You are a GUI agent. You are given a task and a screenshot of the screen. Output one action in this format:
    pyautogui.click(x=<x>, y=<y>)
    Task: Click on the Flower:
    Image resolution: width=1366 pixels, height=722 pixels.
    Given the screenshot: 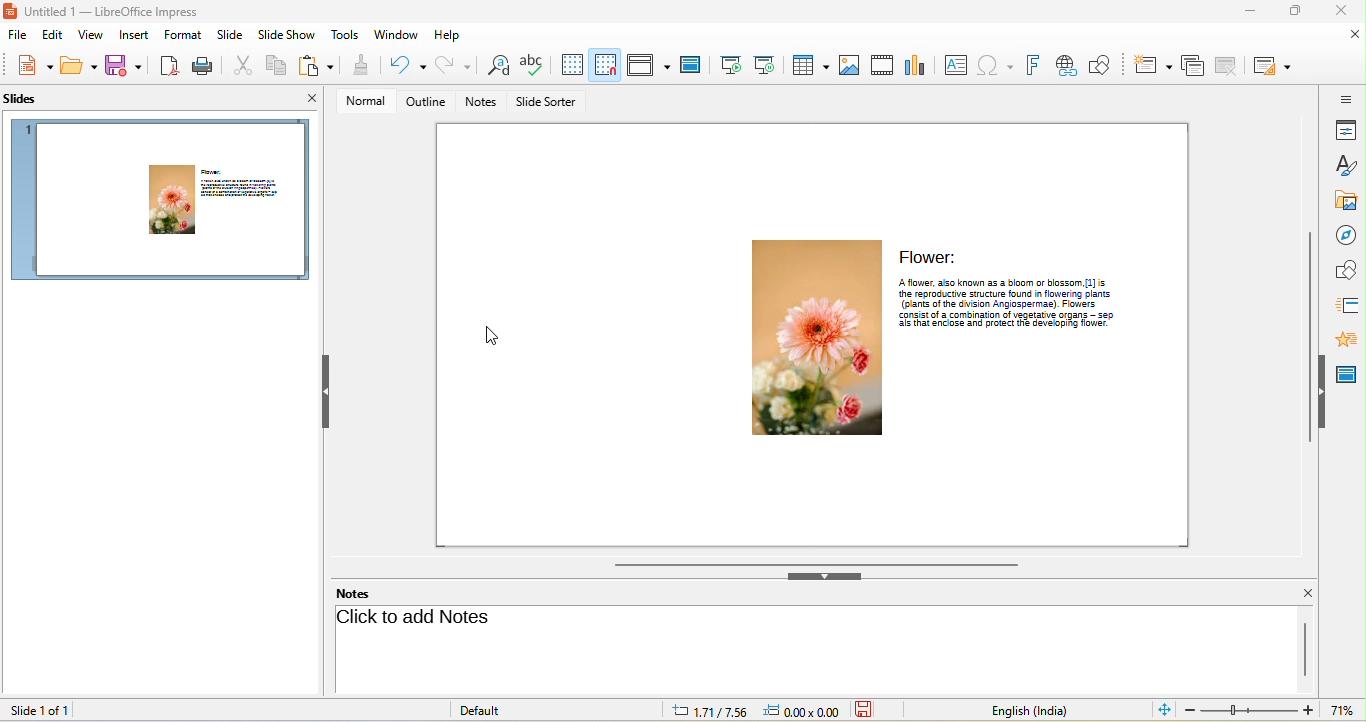 What is the action you would take?
    pyautogui.click(x=933, y=257)
    